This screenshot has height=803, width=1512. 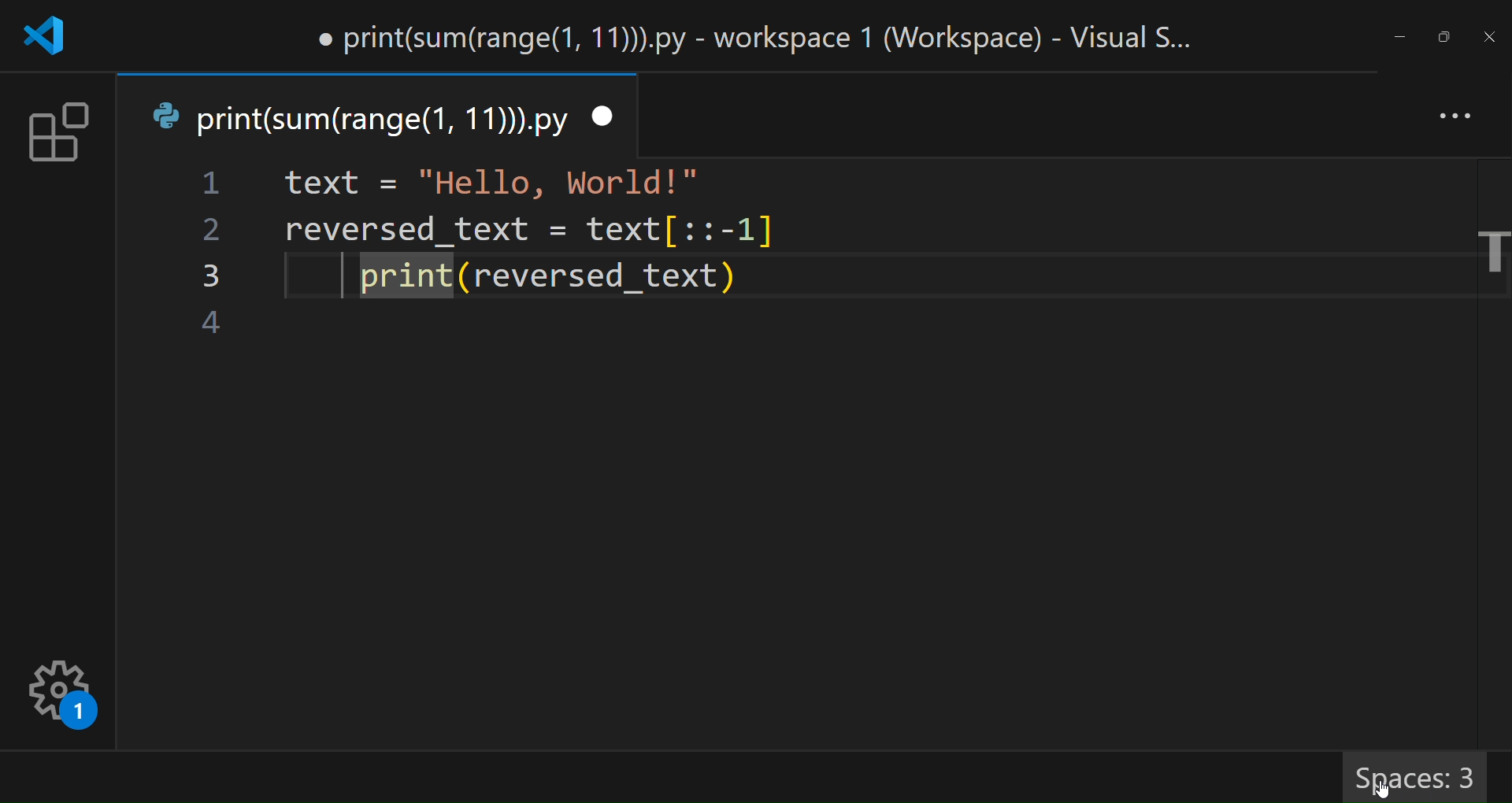 I want to click on code, so click(x=604, y=276).